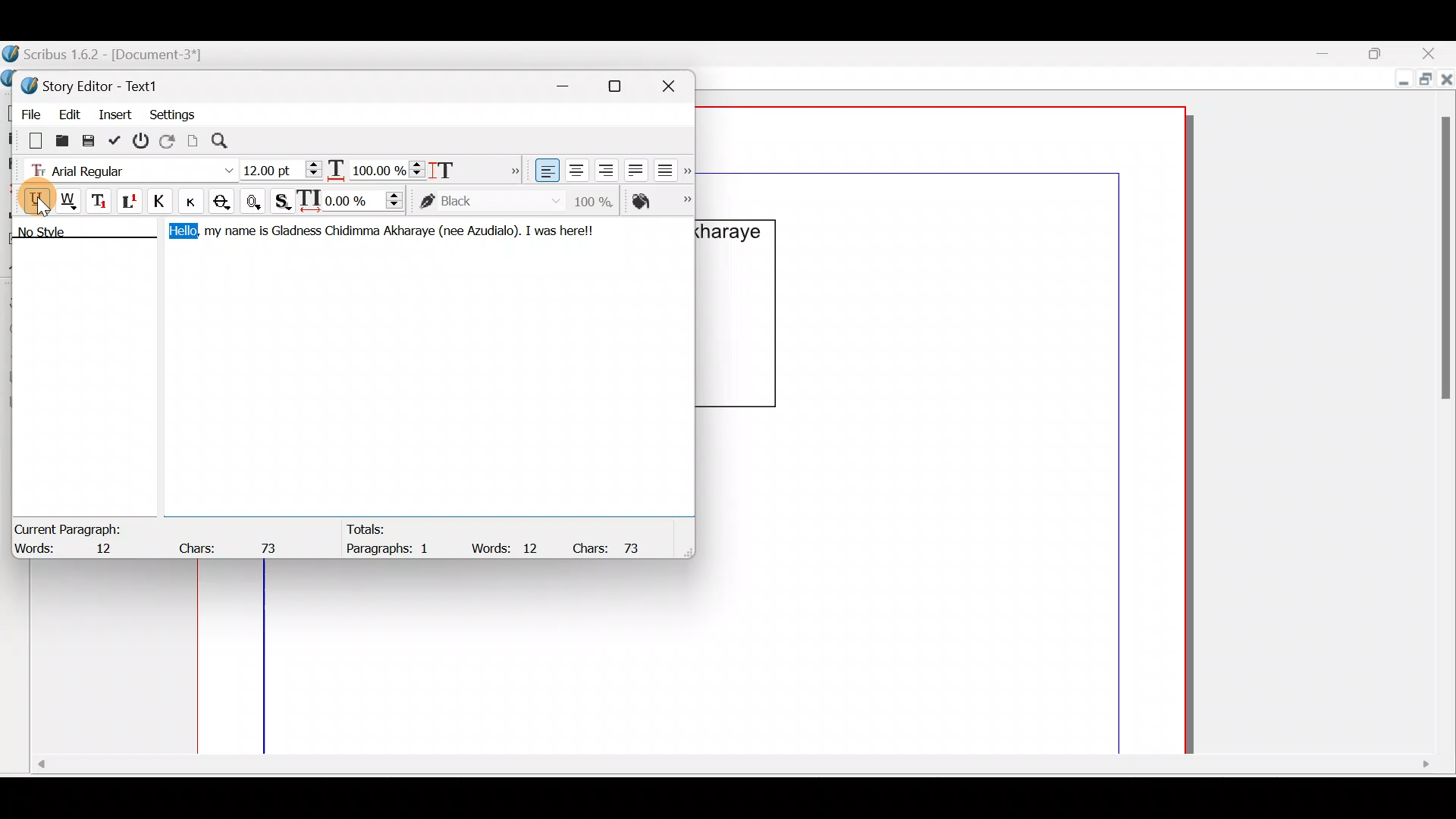 Image resolution: width=1456 pixels, height=819 pixels. Describe the element at coordinates (193, 139) in the screenshot. I see `Update text frame` at that location.